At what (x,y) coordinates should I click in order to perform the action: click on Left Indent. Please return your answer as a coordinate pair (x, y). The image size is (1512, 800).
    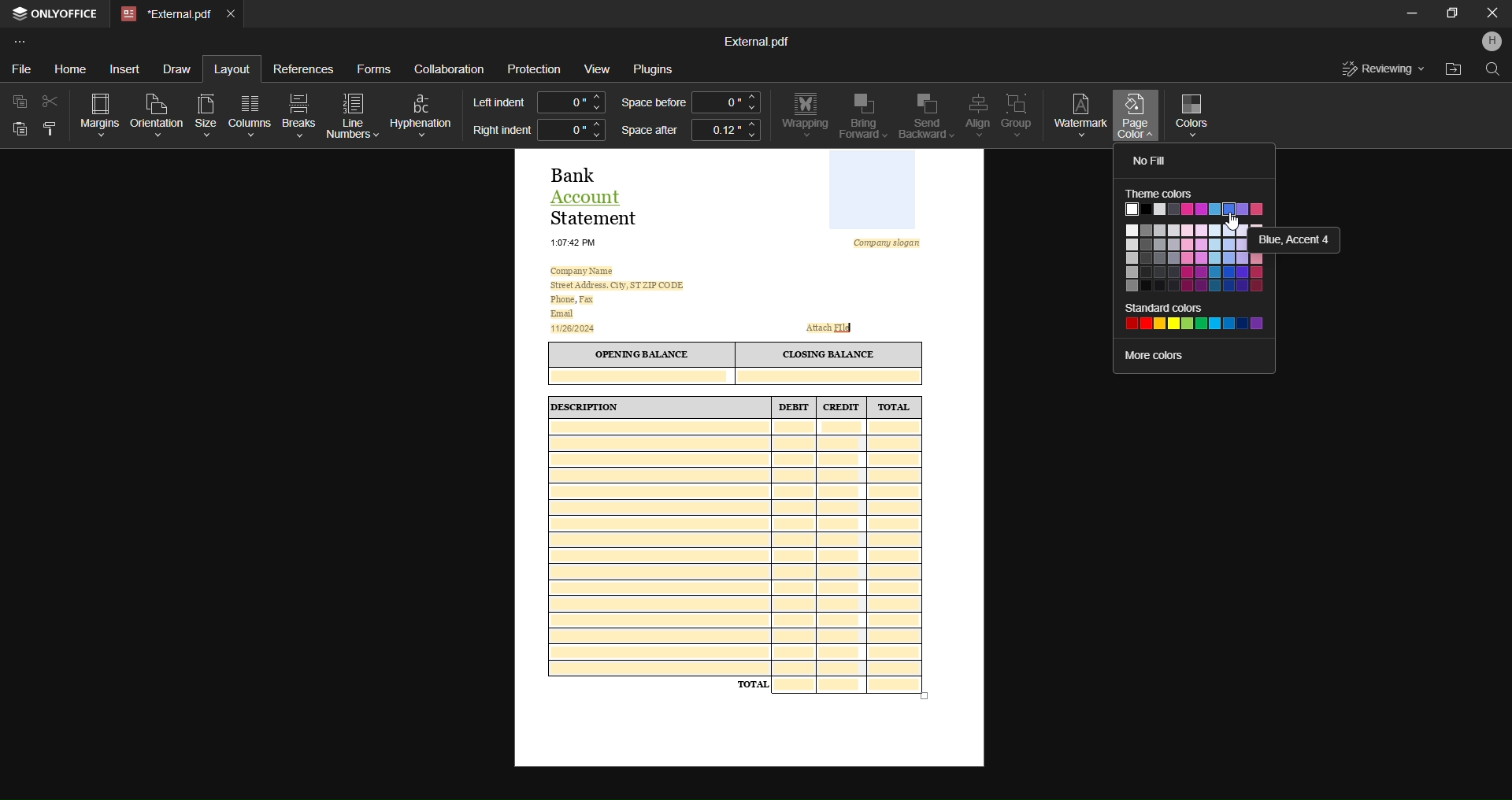
    Looking at the image, I should click on (499, 101).